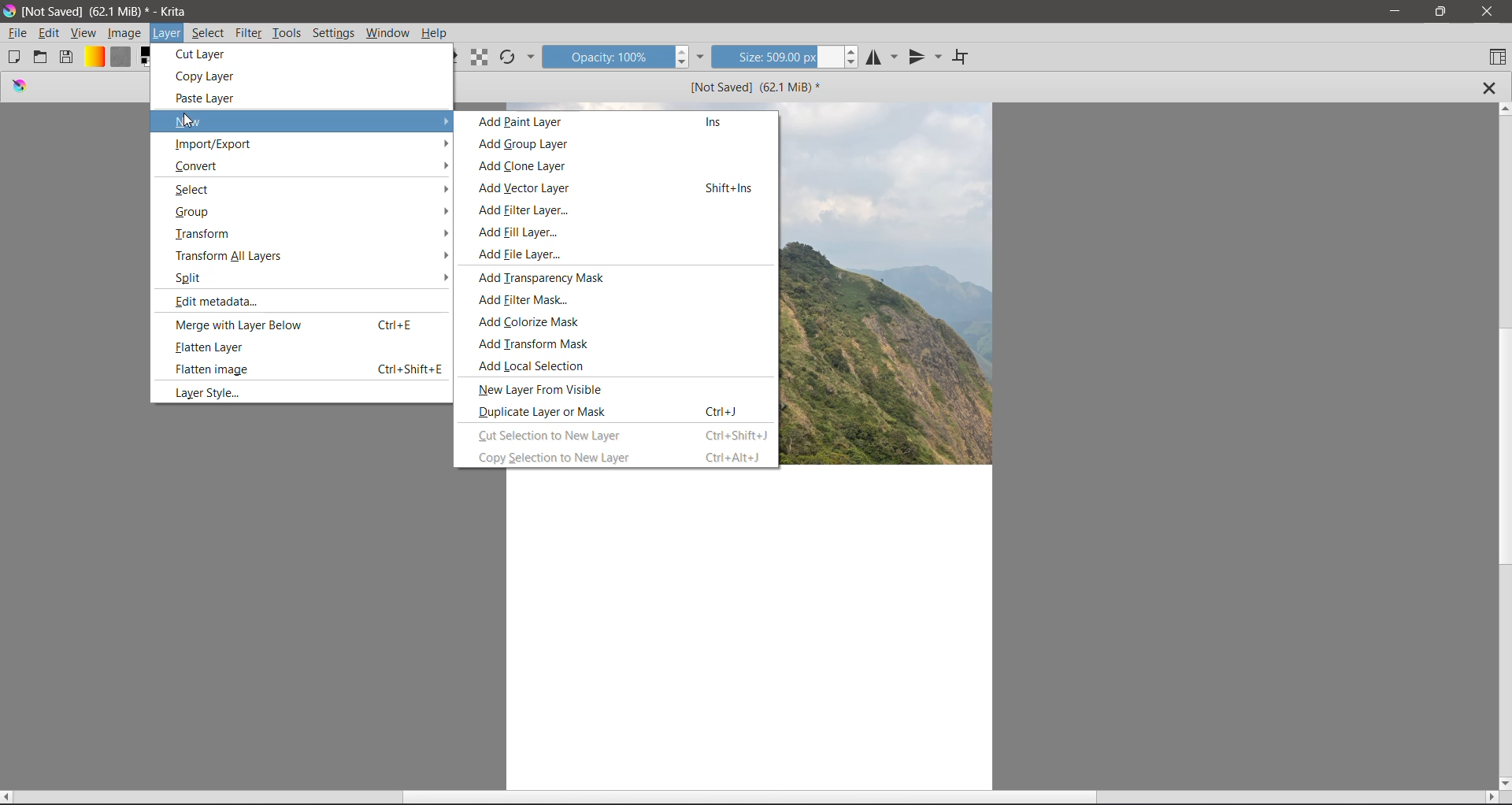  What do you see at coordinates (1490, 87) in the screenshot?
I see `Close Tab` at bounding box center [1490, 87].